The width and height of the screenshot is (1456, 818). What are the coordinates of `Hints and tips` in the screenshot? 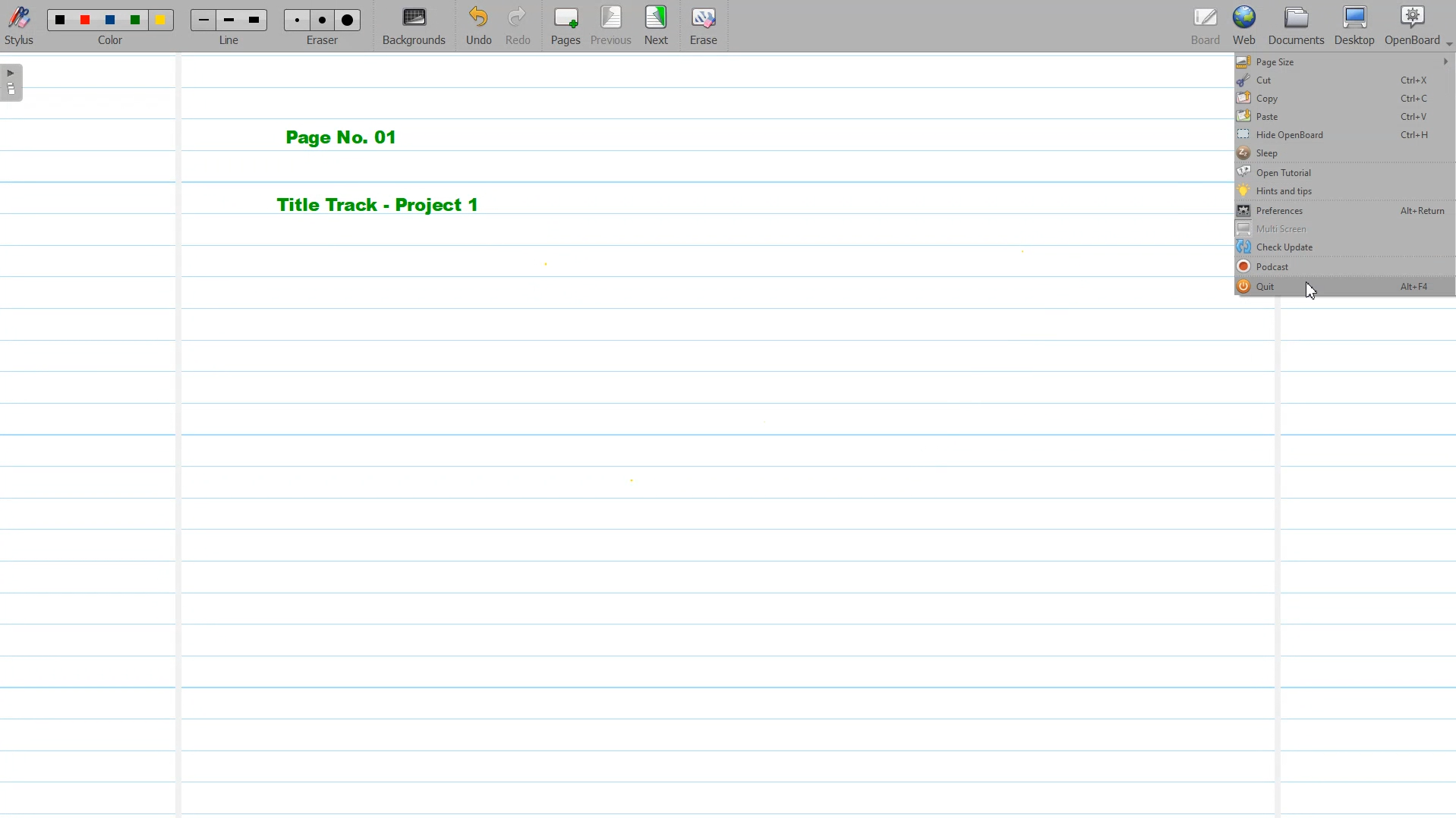 It's located at (1346, 190).